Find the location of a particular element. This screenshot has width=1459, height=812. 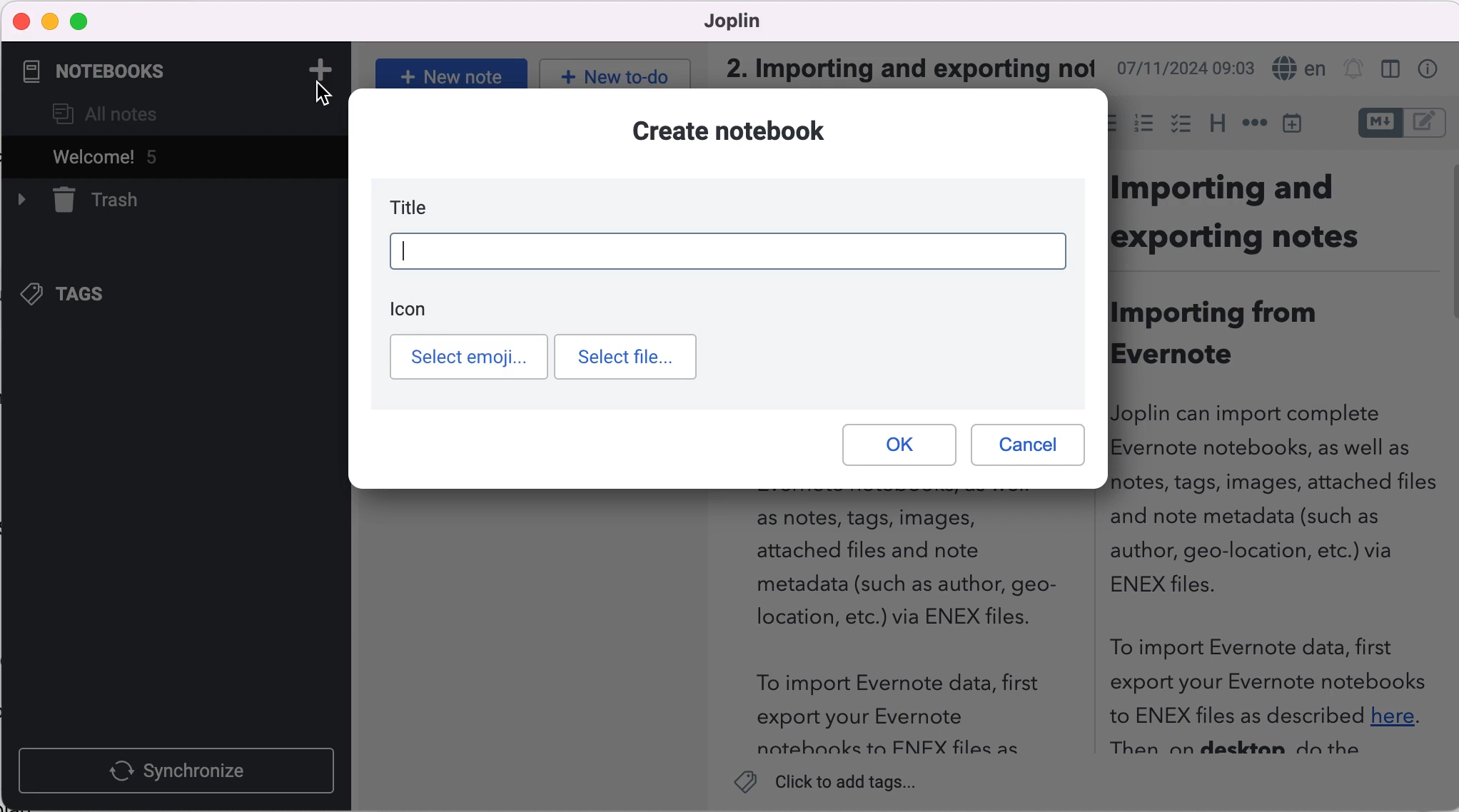

Importing andexporting notesImporting fromEvernoteJoplin can import completeEvernote notebooks, as well asnotes, tags, images, attached filesand note metadata (such asauthor, geo-location, etc.) viaENEX files.To import Evernote data, firstexport your Evernote notebooksto ENEX files as described here. is located at coordinates (1276, 467).